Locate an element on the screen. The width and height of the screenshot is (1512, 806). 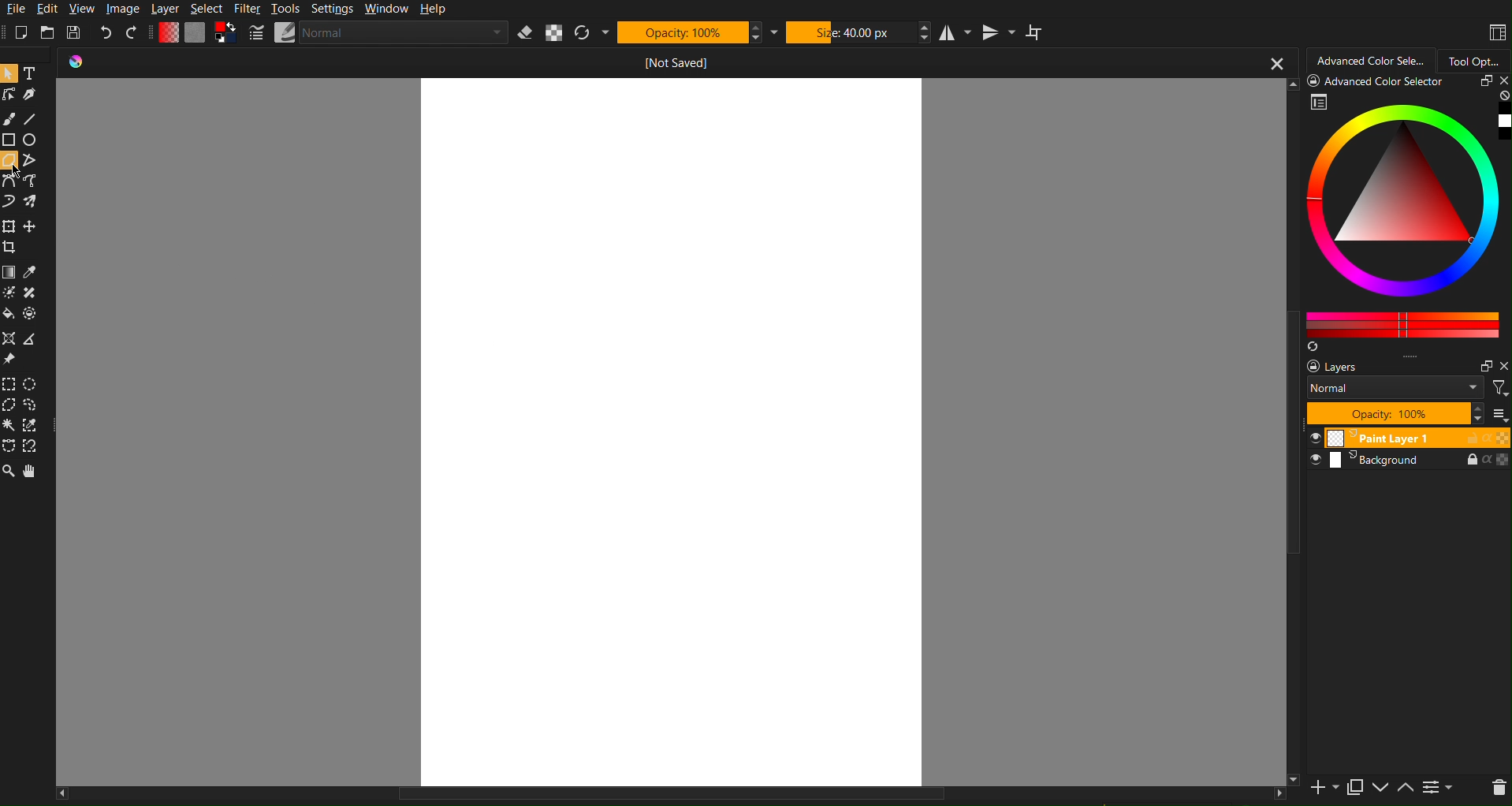
close pane is located at coordinates (1503, 365).